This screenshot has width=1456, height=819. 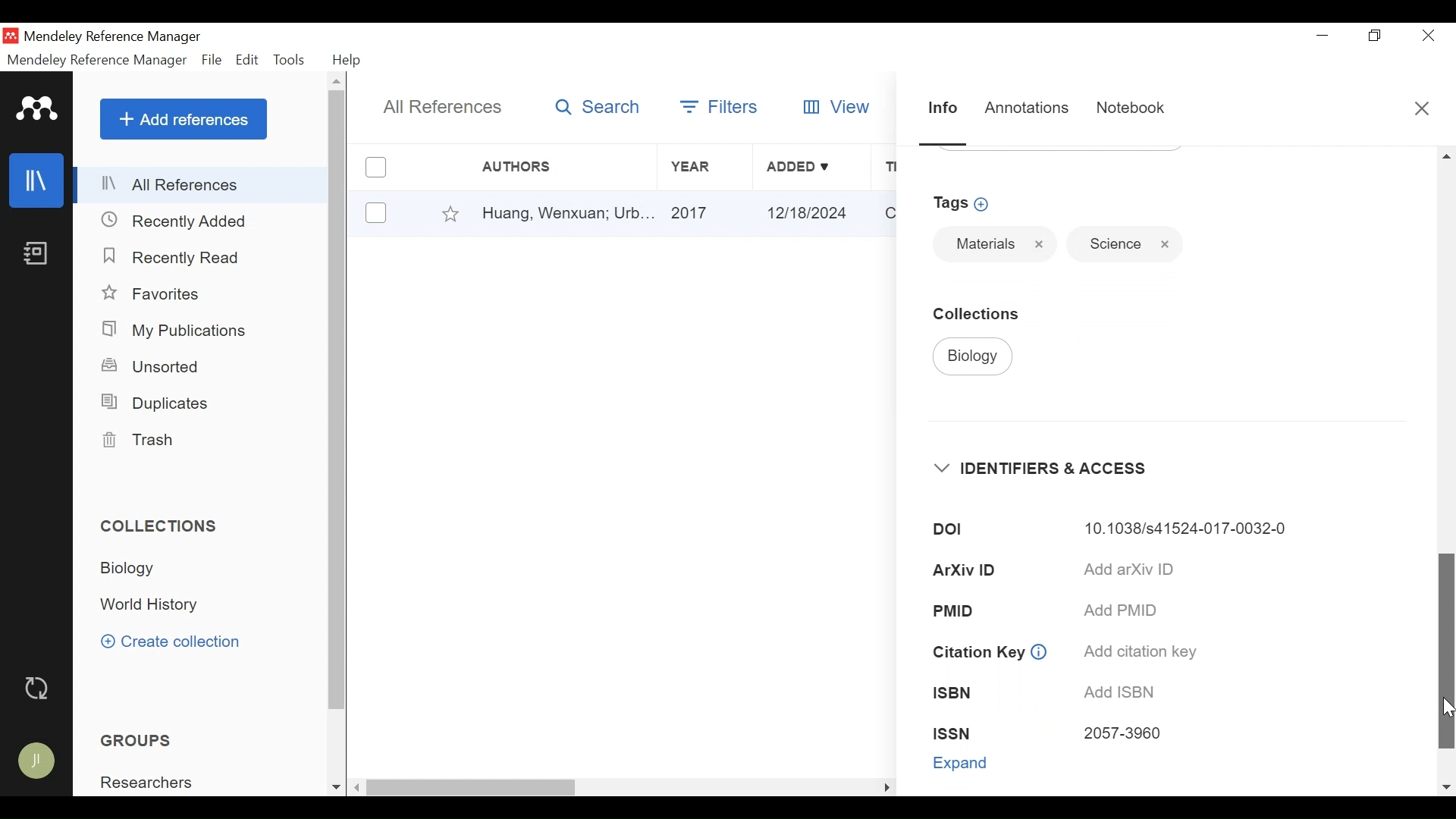 What do you see at coordinates (1322, 35) in the screenshot?
I see `minimize` at bounding box center [1322, 35].